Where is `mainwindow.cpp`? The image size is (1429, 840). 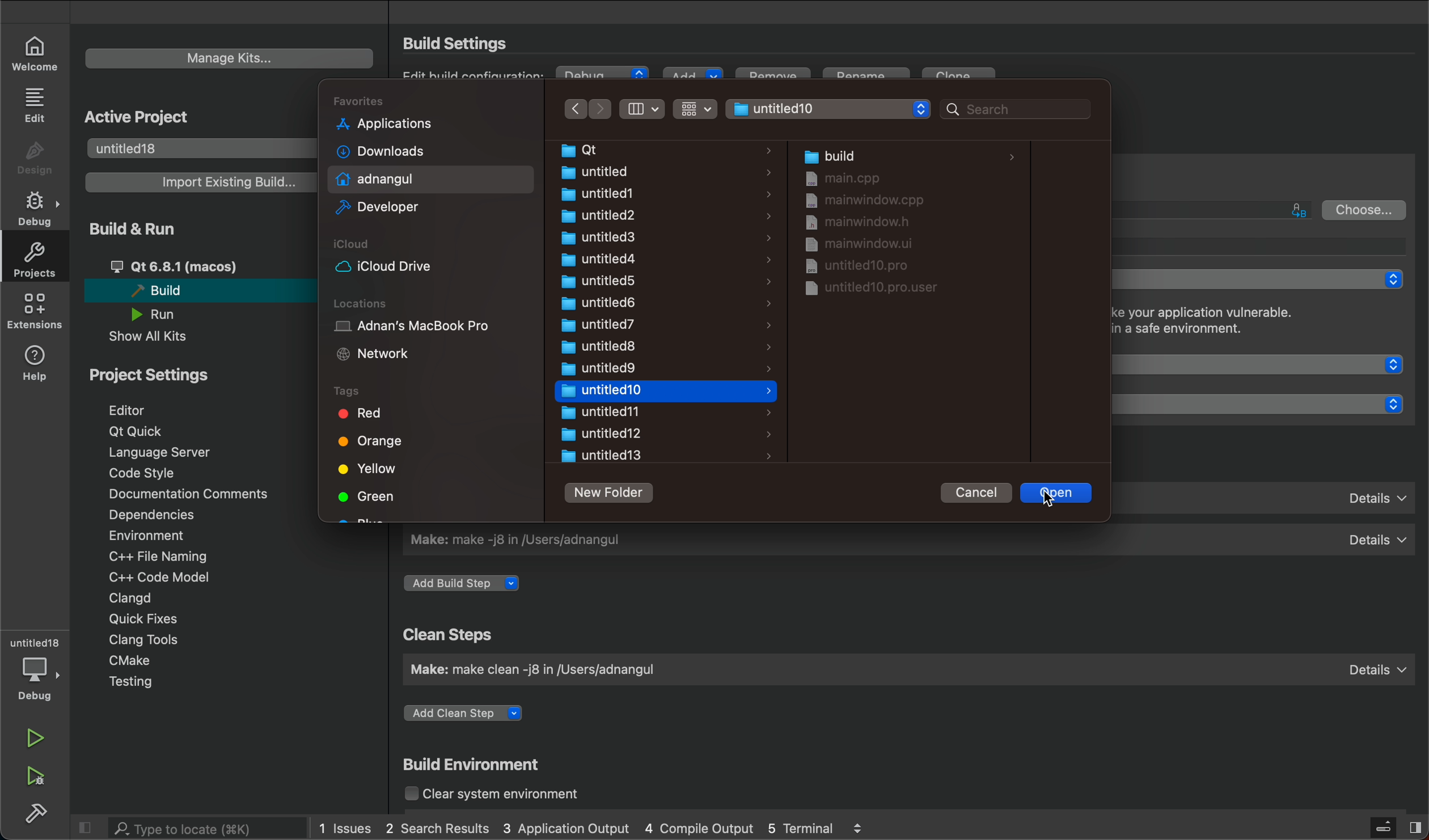
mainwindow.cpp is located at coordinates (859, 198).